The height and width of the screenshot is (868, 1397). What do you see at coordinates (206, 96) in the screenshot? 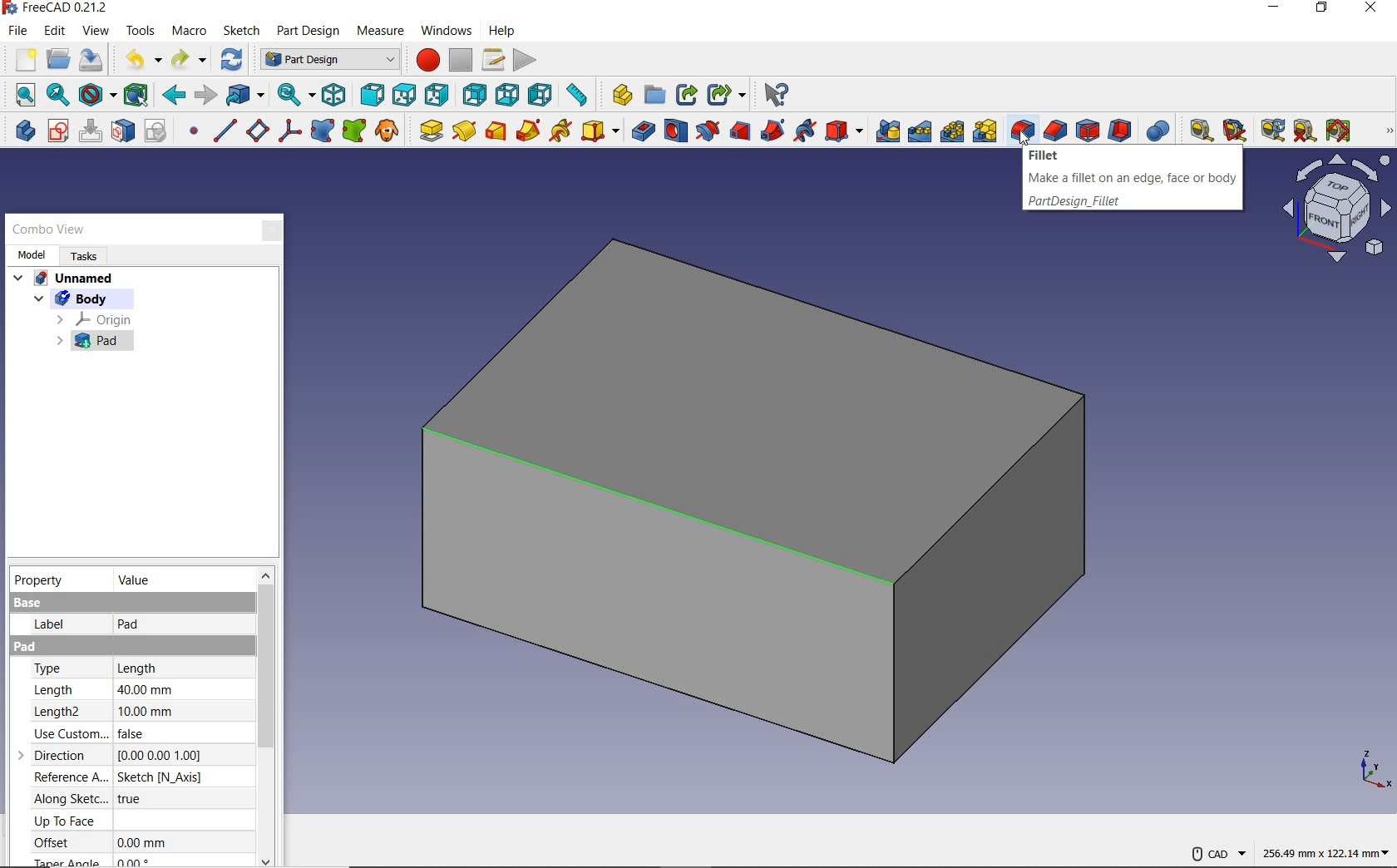
I see `forward` at bounding box center [206, 96].